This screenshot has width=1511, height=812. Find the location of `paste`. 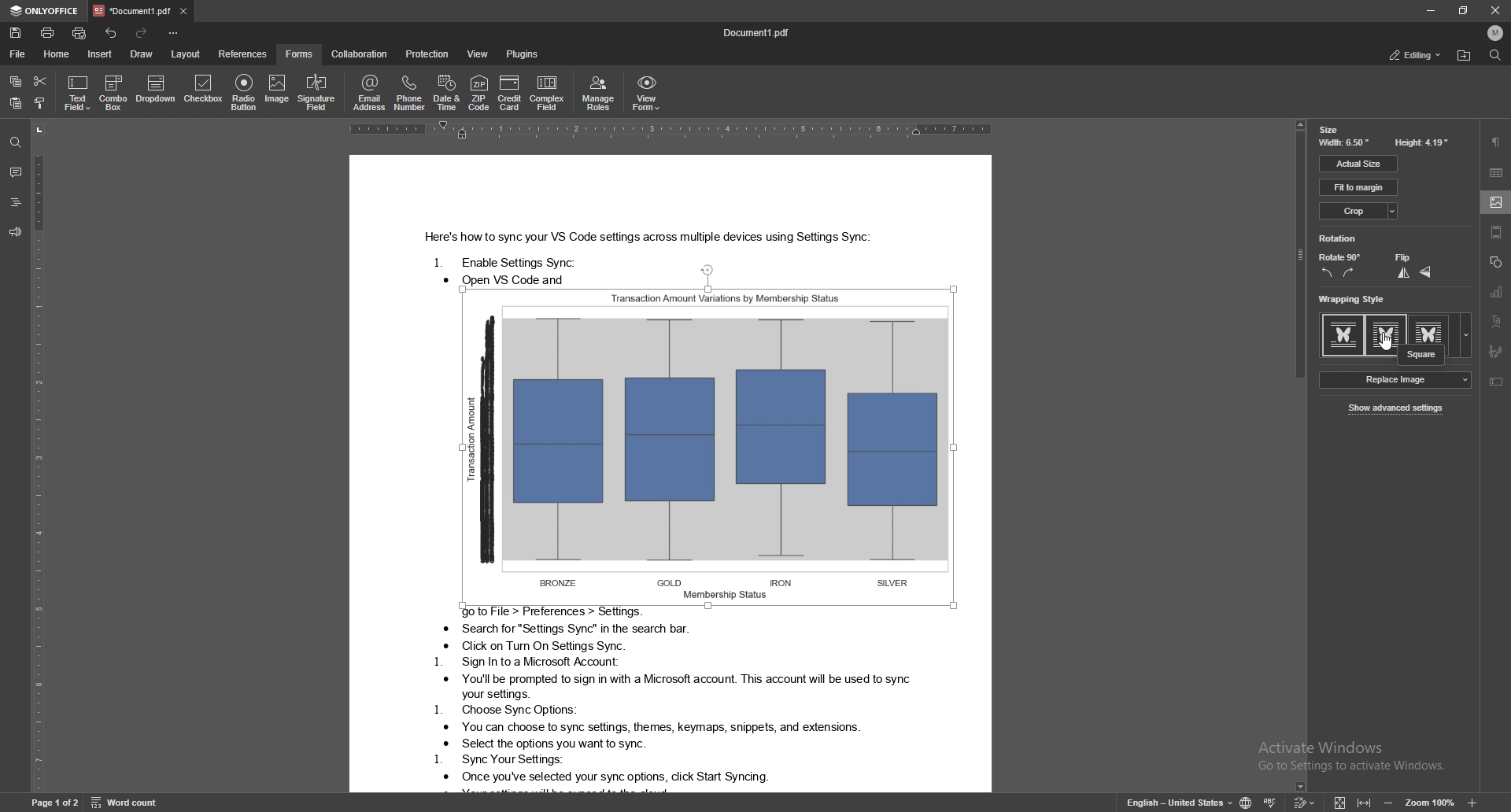

paste is located at coordinates (15, 103).